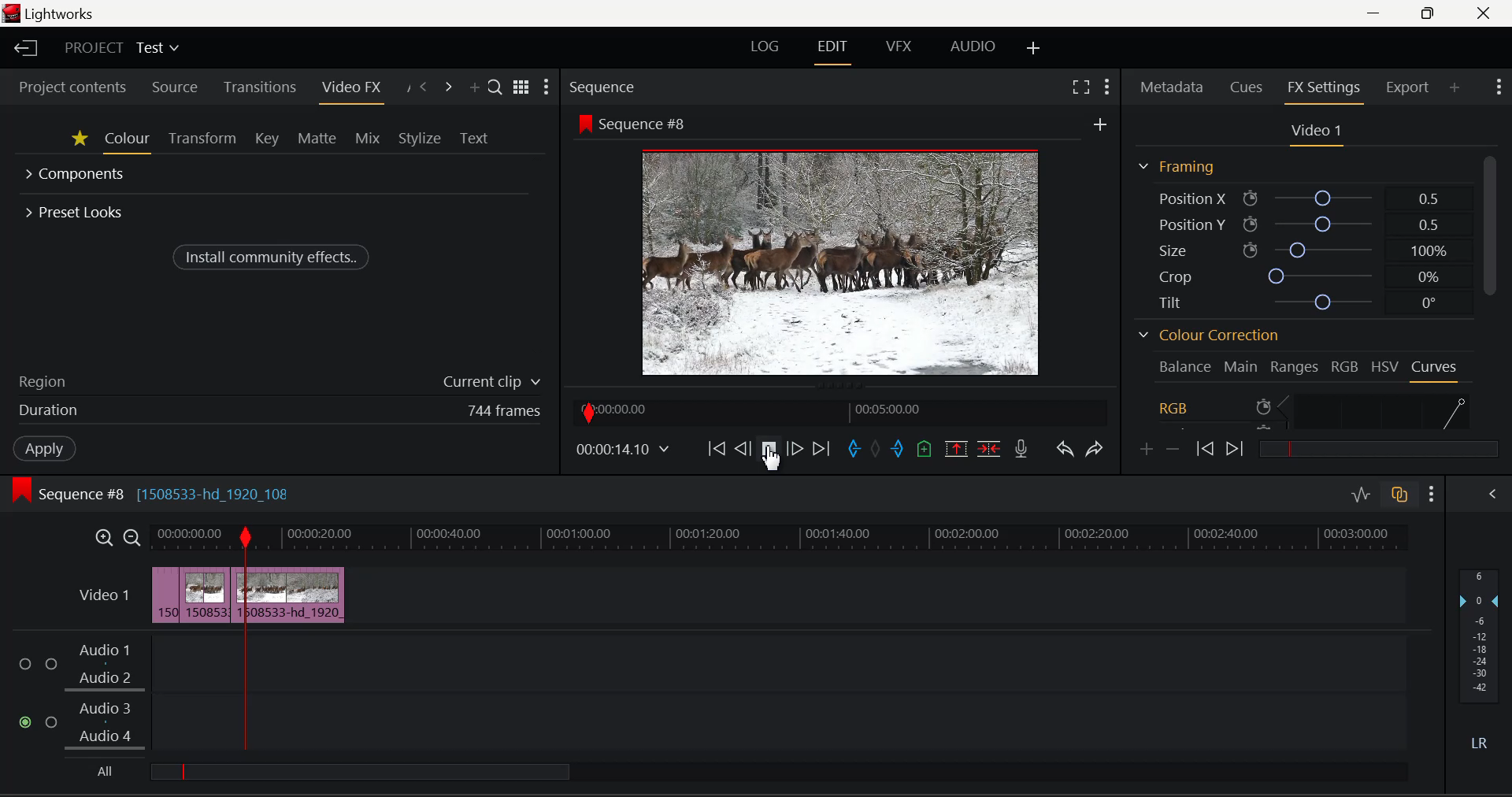 Image resolution: width=1512 pixels, height=797 pixels. Describe the element at coordinates (1144, 450) in the screenshot. I see `Add keyframe` at that location.